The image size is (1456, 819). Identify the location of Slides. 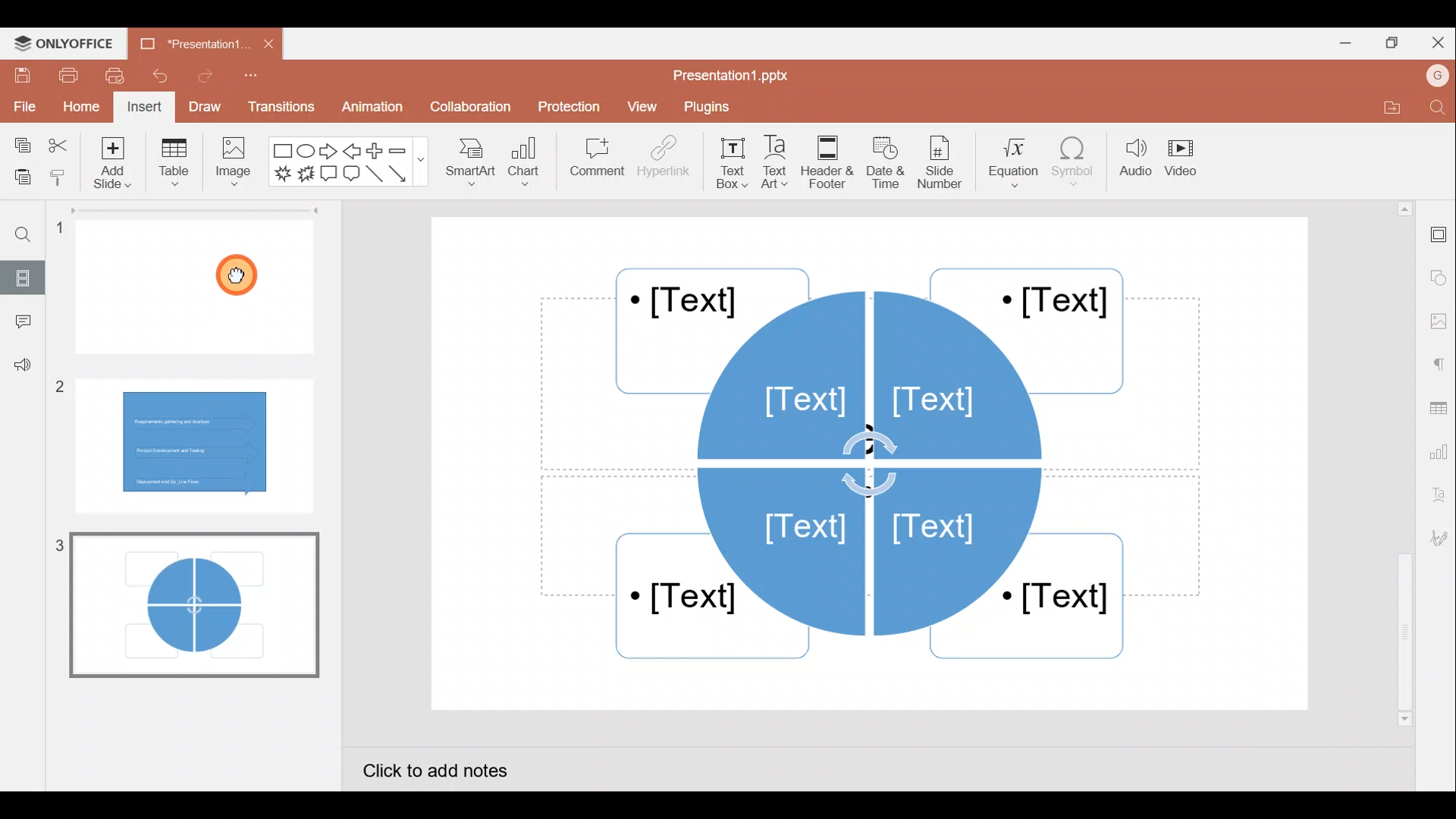
(27, 275).